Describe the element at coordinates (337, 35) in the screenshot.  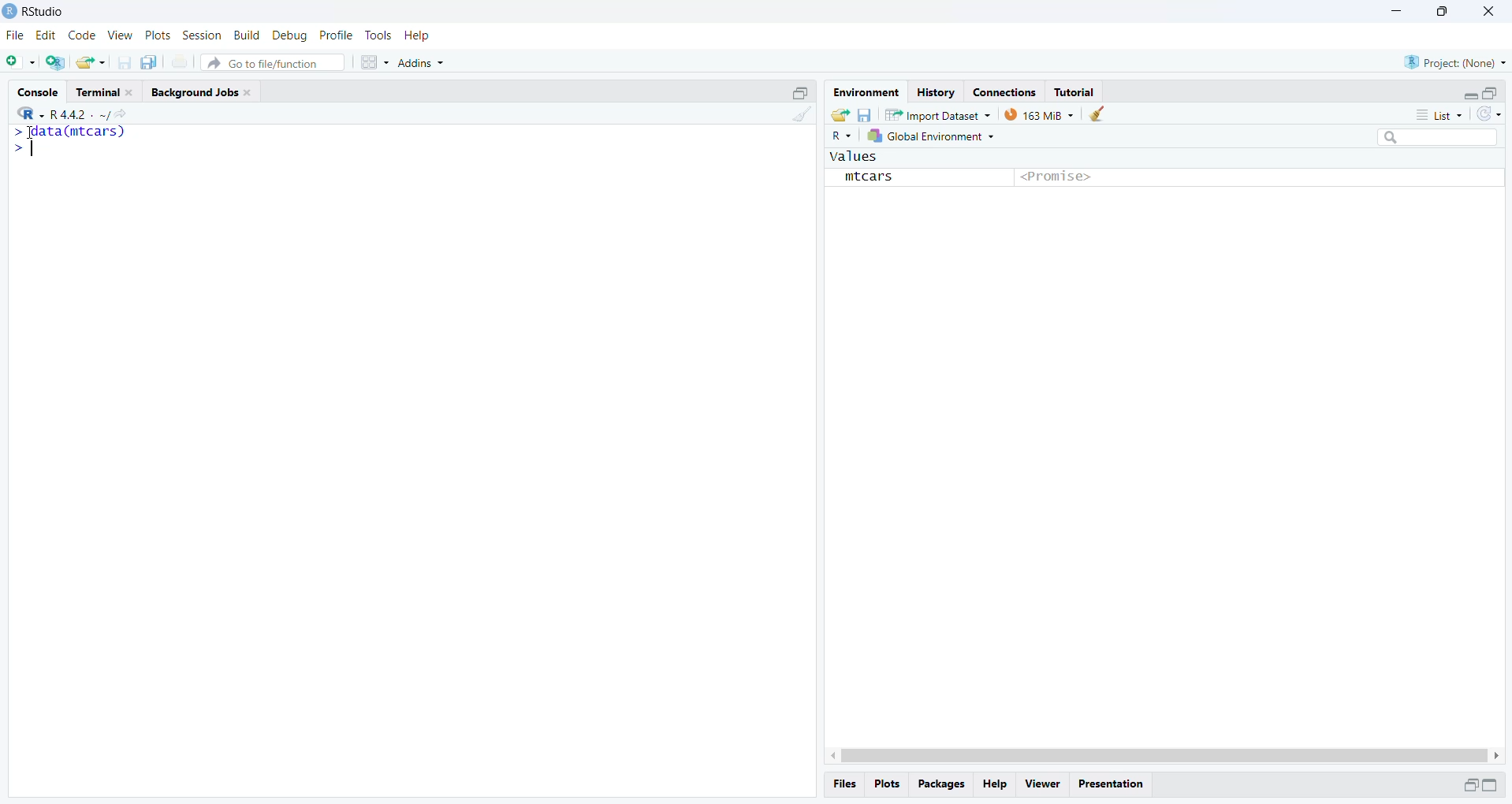
I see `profile` at that location.